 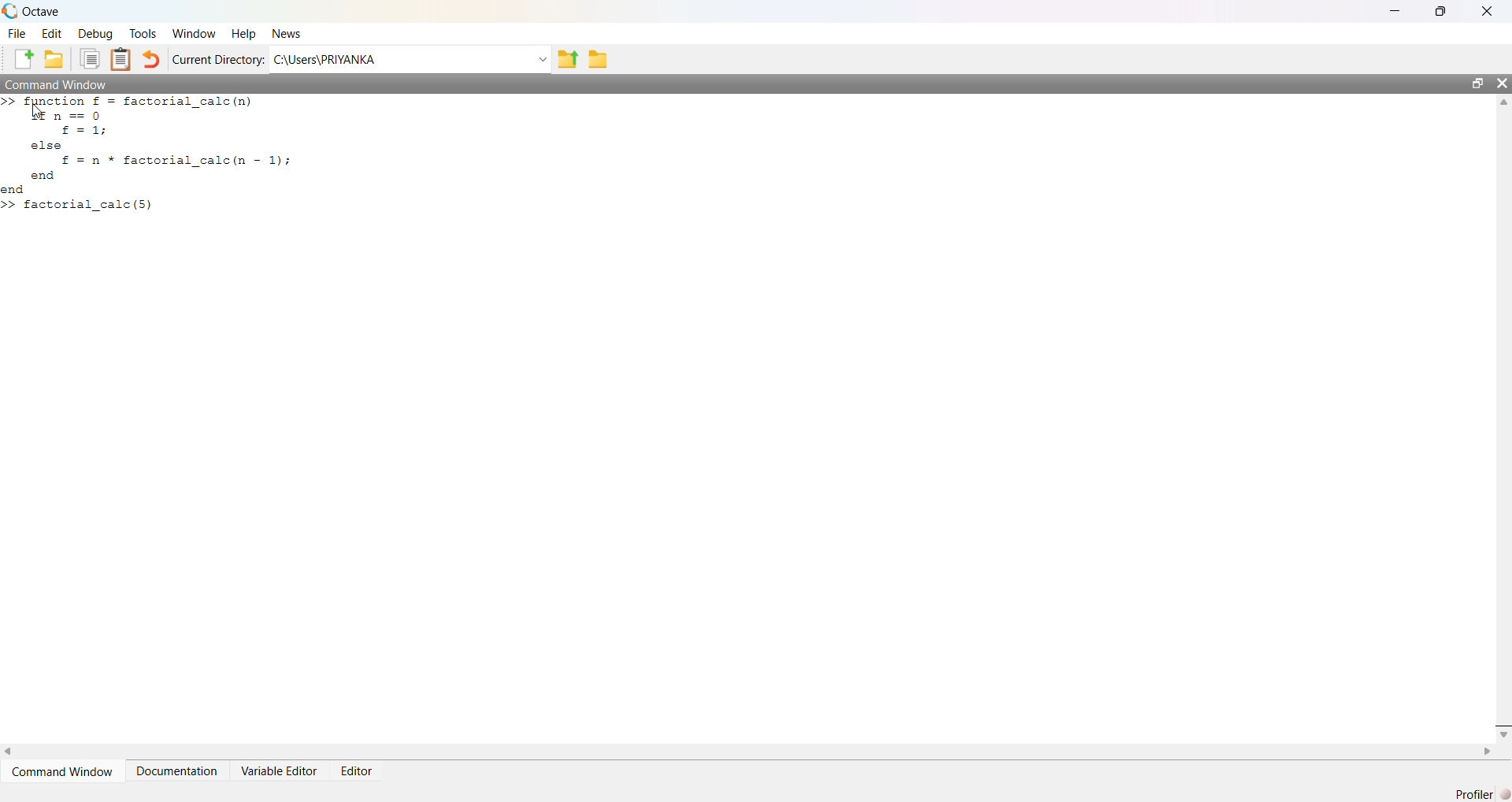 I want to click on scroll right, so click(x=1488, y=752).